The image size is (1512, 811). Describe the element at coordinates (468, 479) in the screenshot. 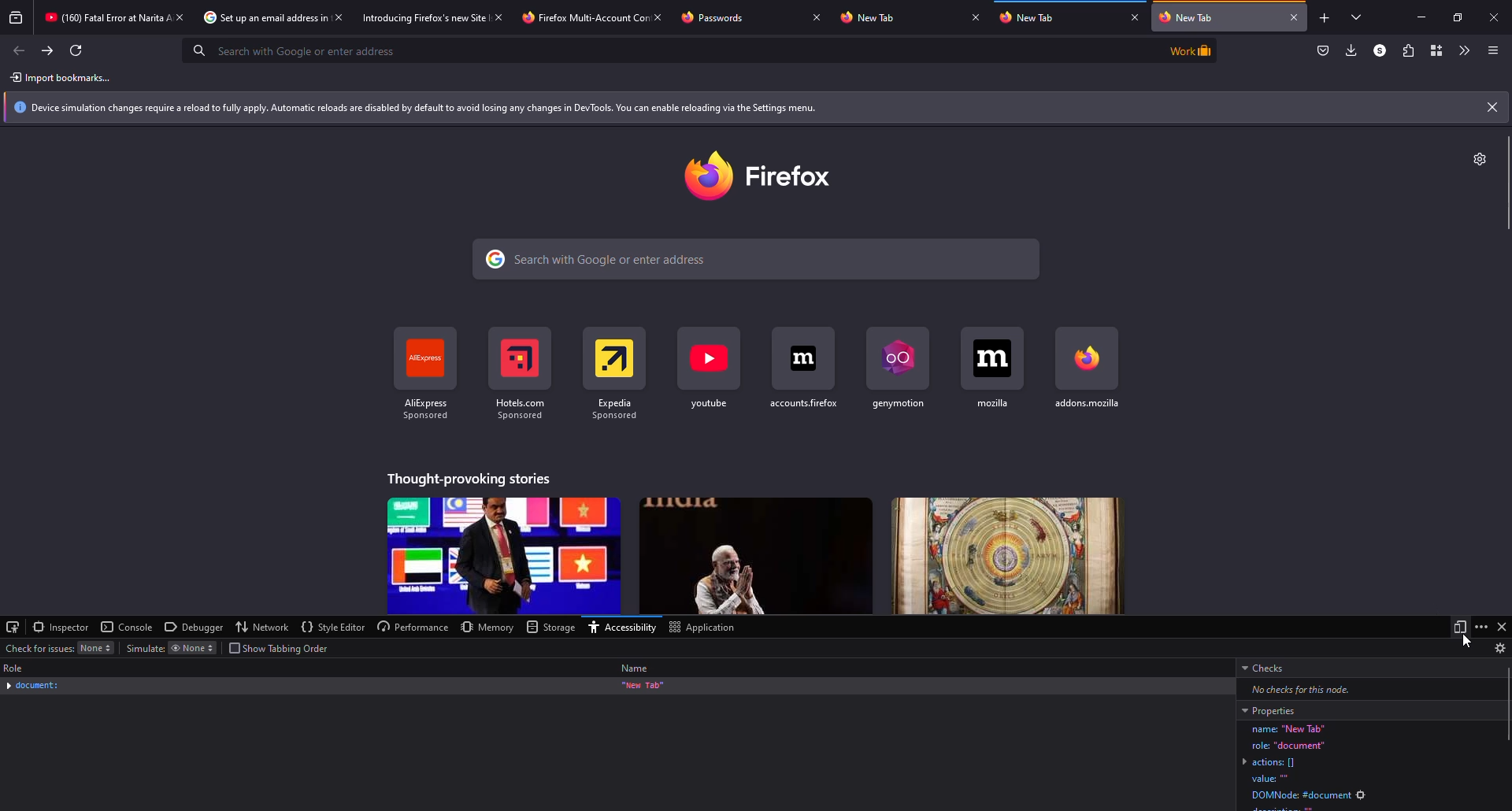

I see `Text` at that location.